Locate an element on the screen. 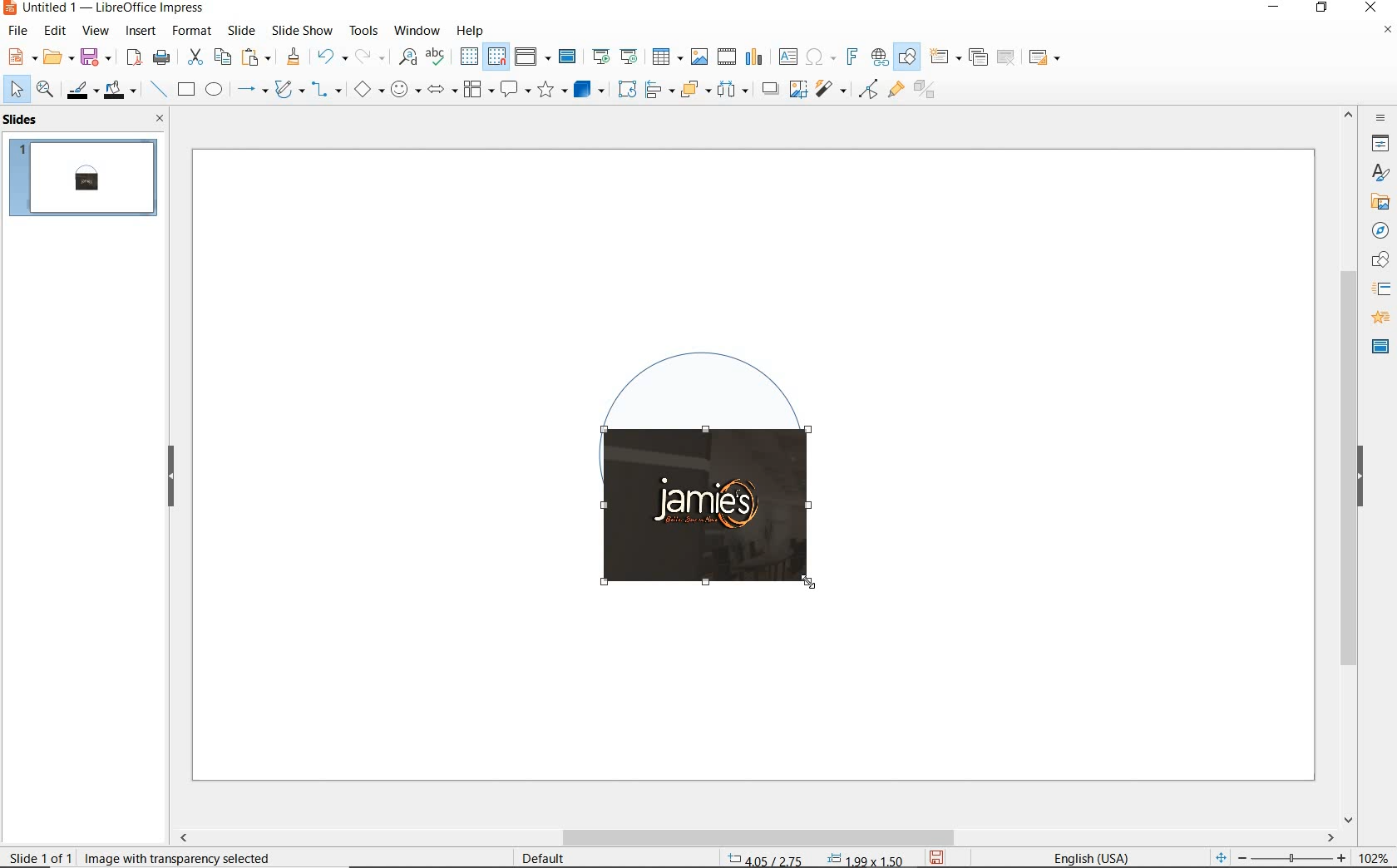 This screenshot has width=1397, height=868. duplicate slide is located at coordinates (978, 57).